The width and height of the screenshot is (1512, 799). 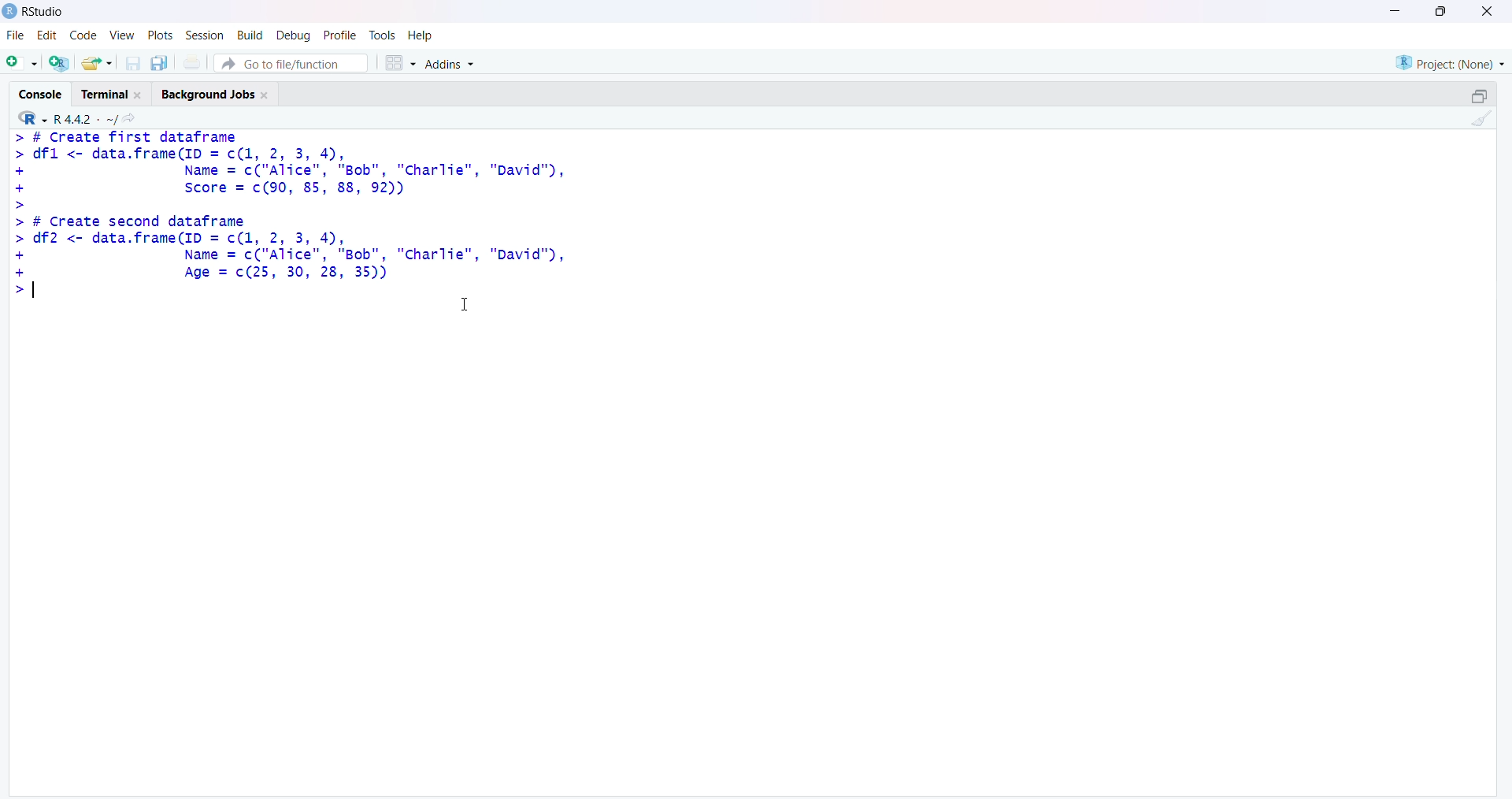 What do you see at coordinates (47, 35) in the screenshot?
I see `edit` at bounding box center [47, 35].